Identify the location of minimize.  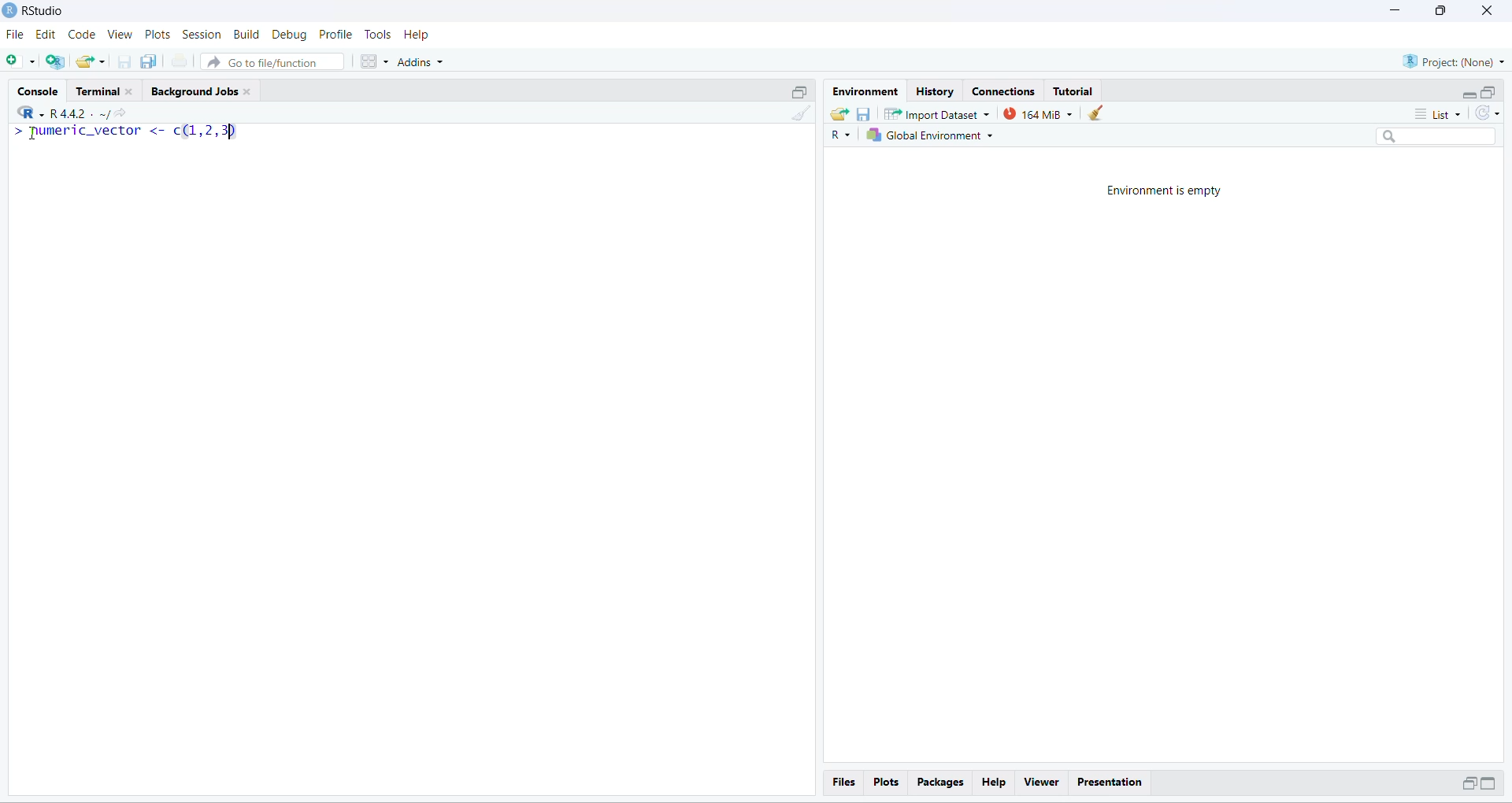
(1392, 10).